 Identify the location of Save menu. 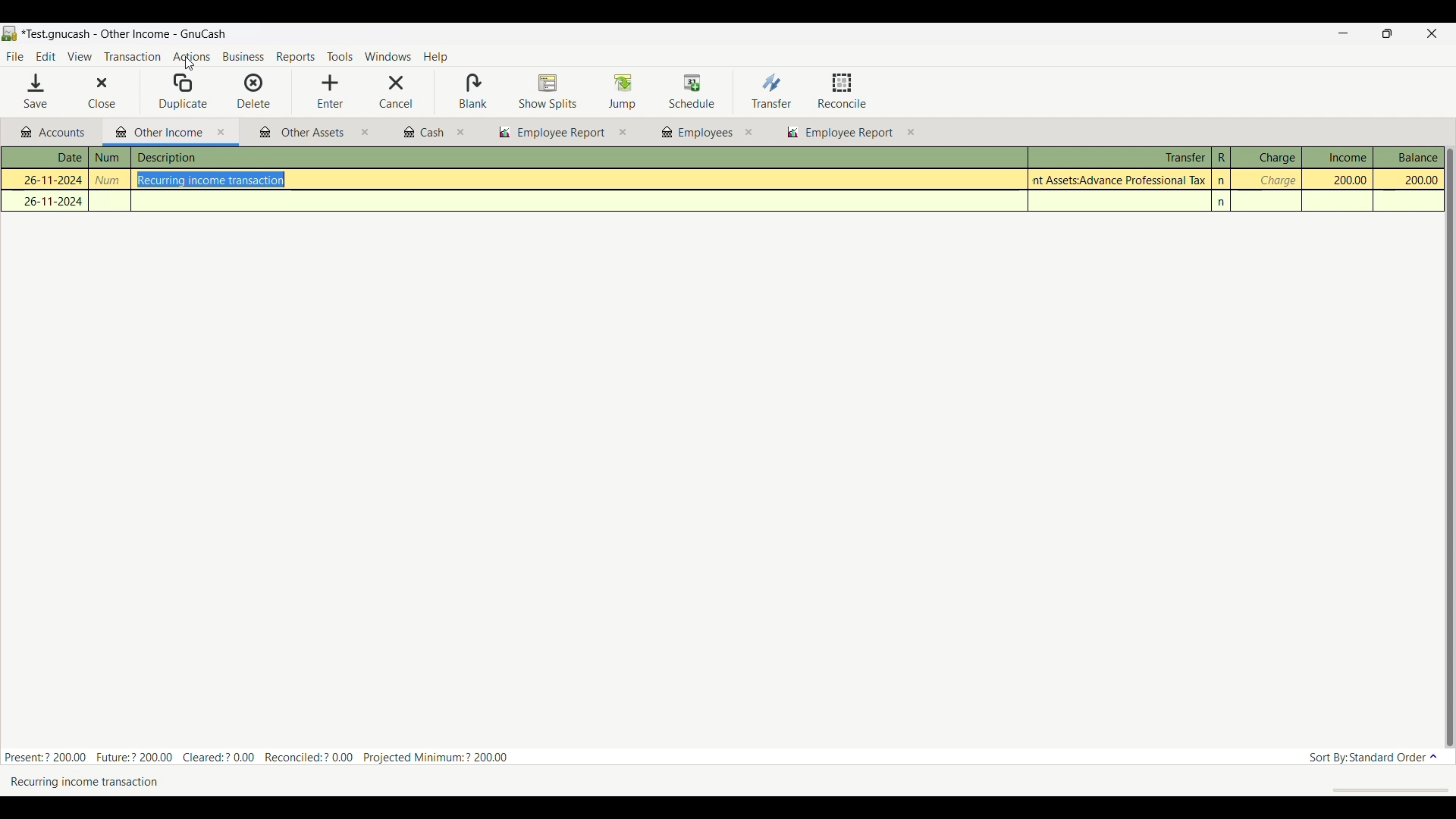
(37, 91).